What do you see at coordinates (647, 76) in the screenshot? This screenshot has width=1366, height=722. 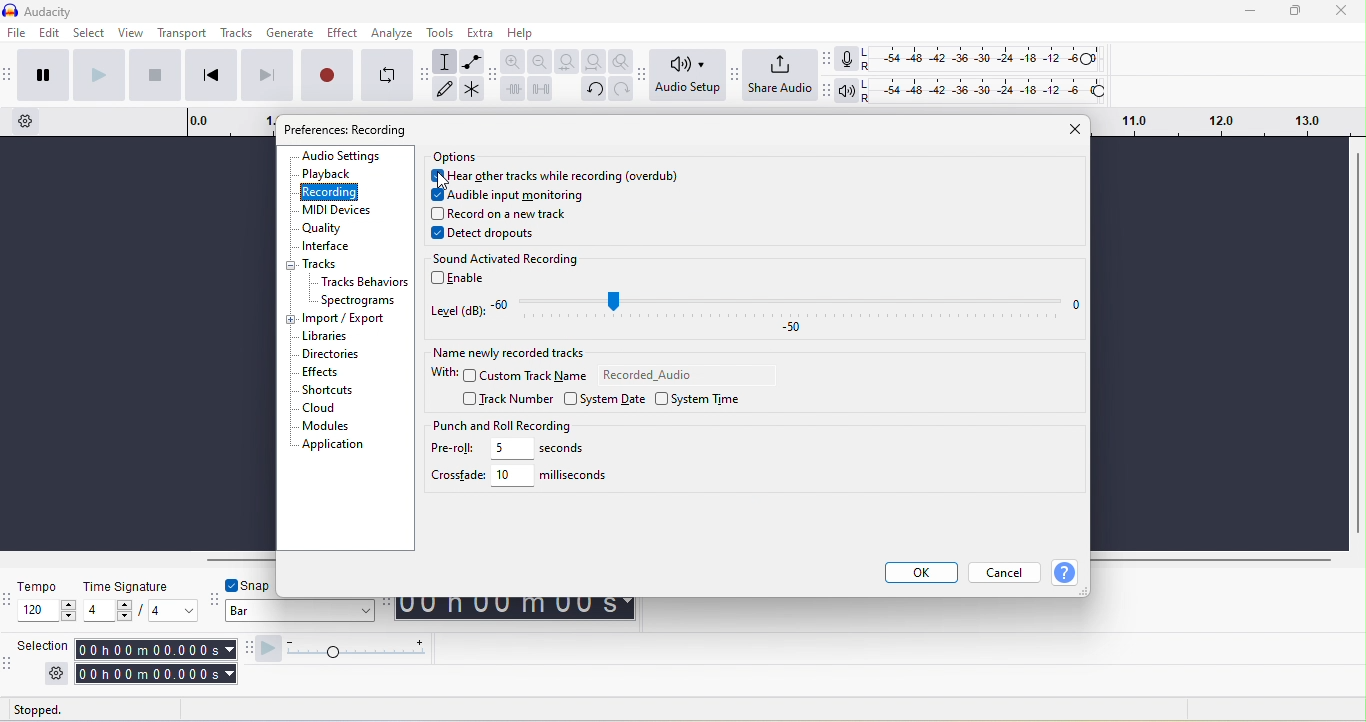 I see `audacity audio setup toolbar` at bounding box center [647, 76].